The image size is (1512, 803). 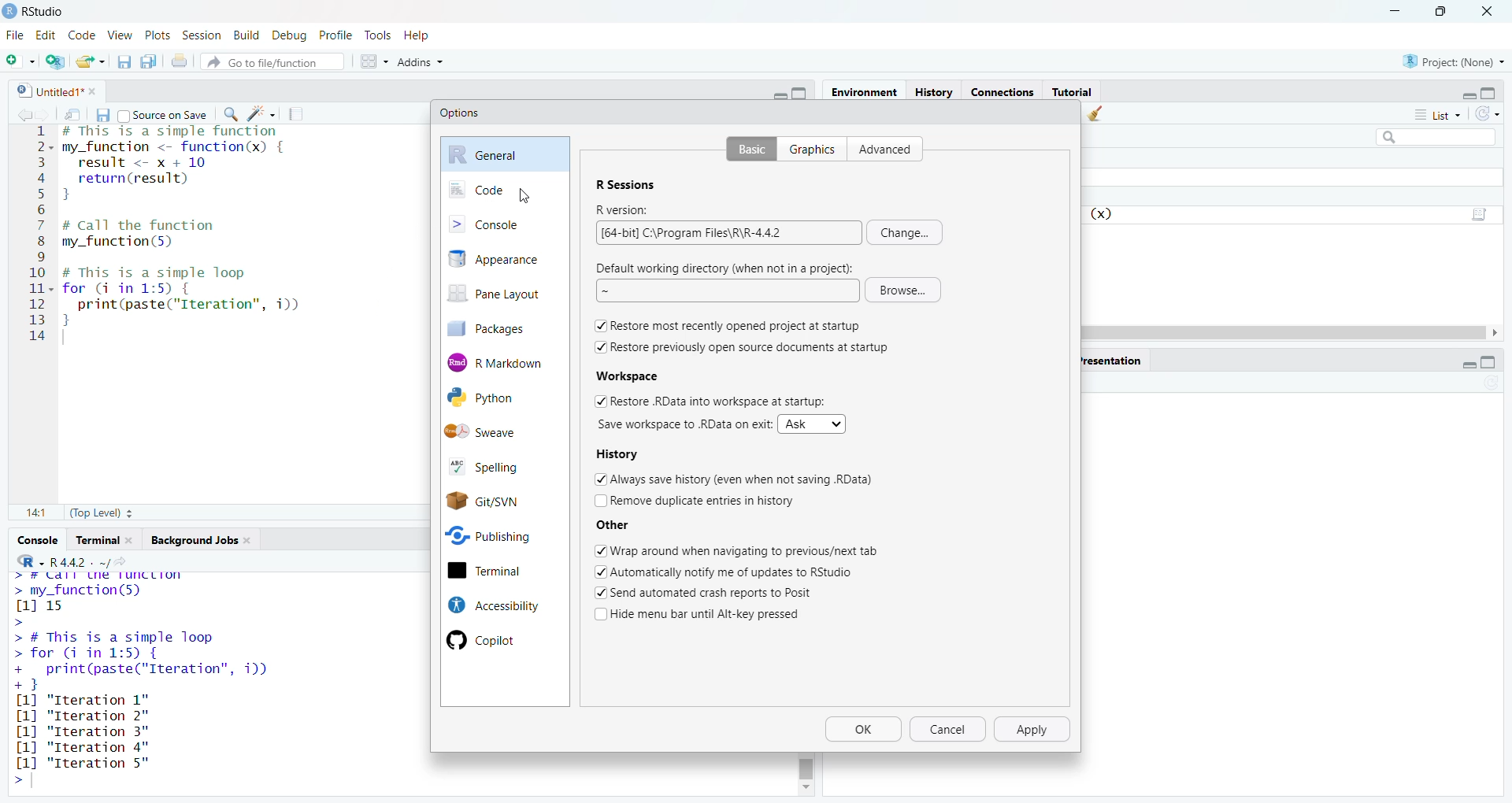 What do you see at coordinates (1482, 212) in the screenshot?
I see `script` at bounding box center [1482, 212].